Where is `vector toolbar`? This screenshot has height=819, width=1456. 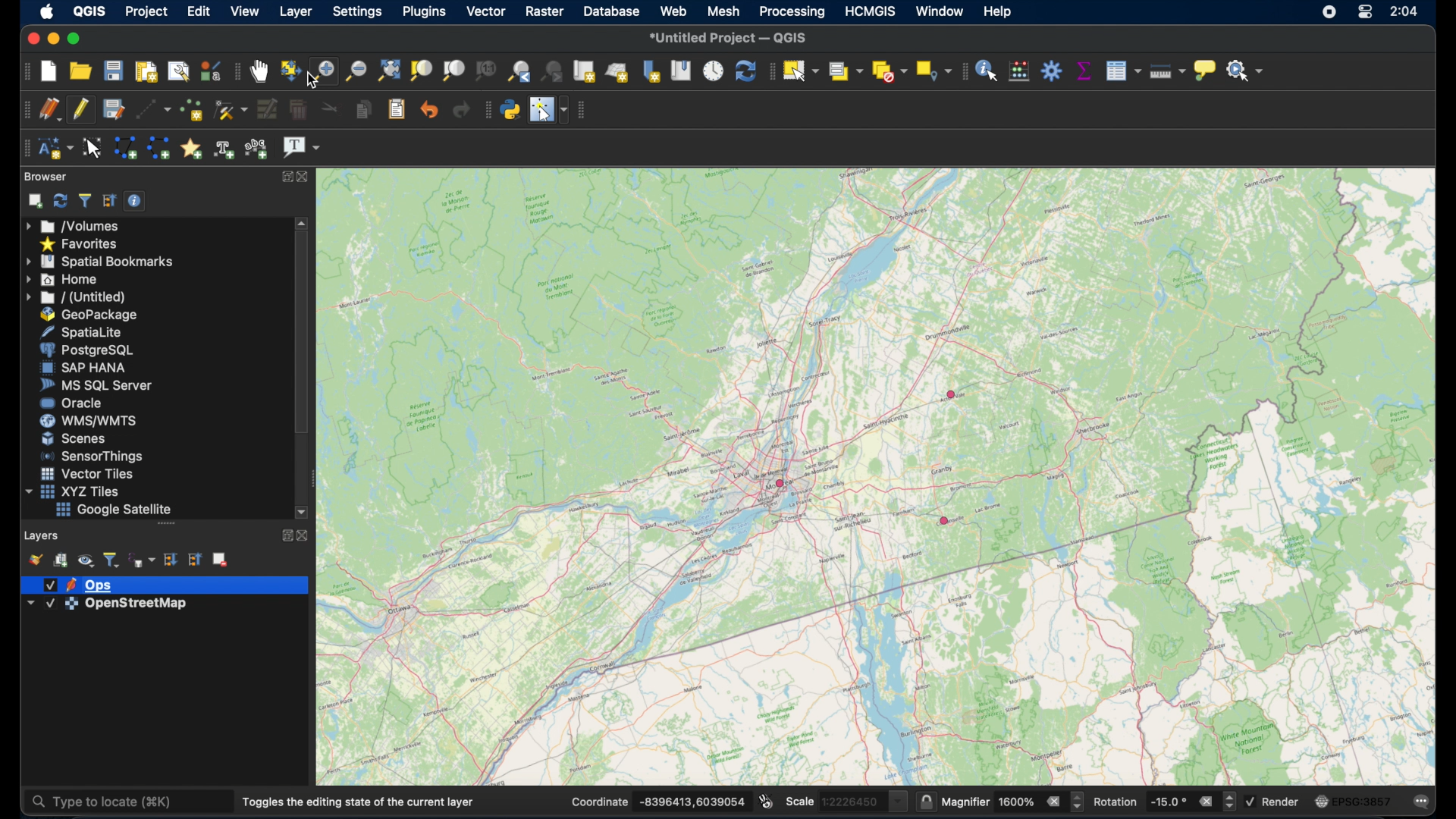 vector toolbar is located at coordinates (585, 108).